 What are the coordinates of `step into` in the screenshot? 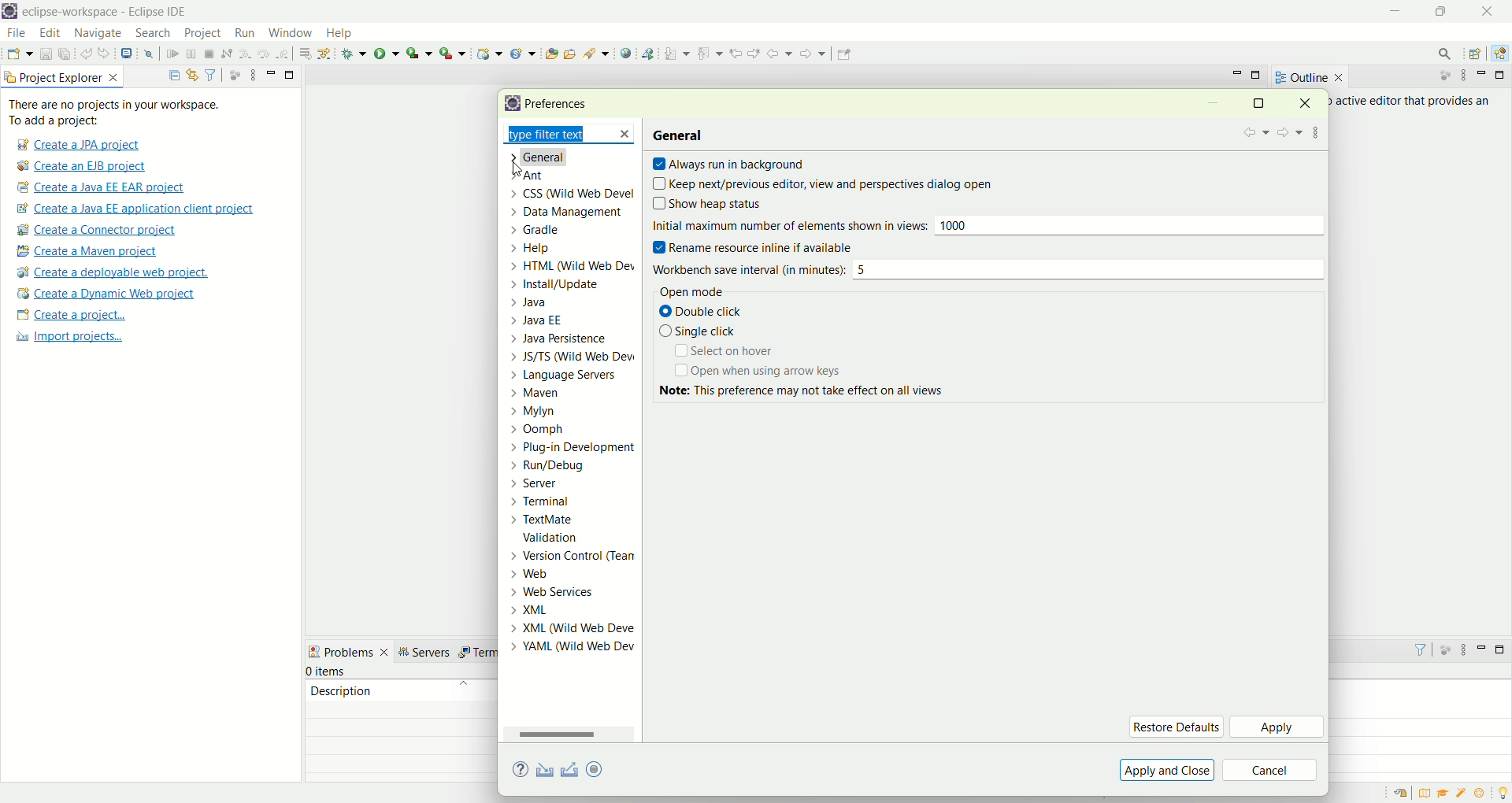 It's located at (245, 52).